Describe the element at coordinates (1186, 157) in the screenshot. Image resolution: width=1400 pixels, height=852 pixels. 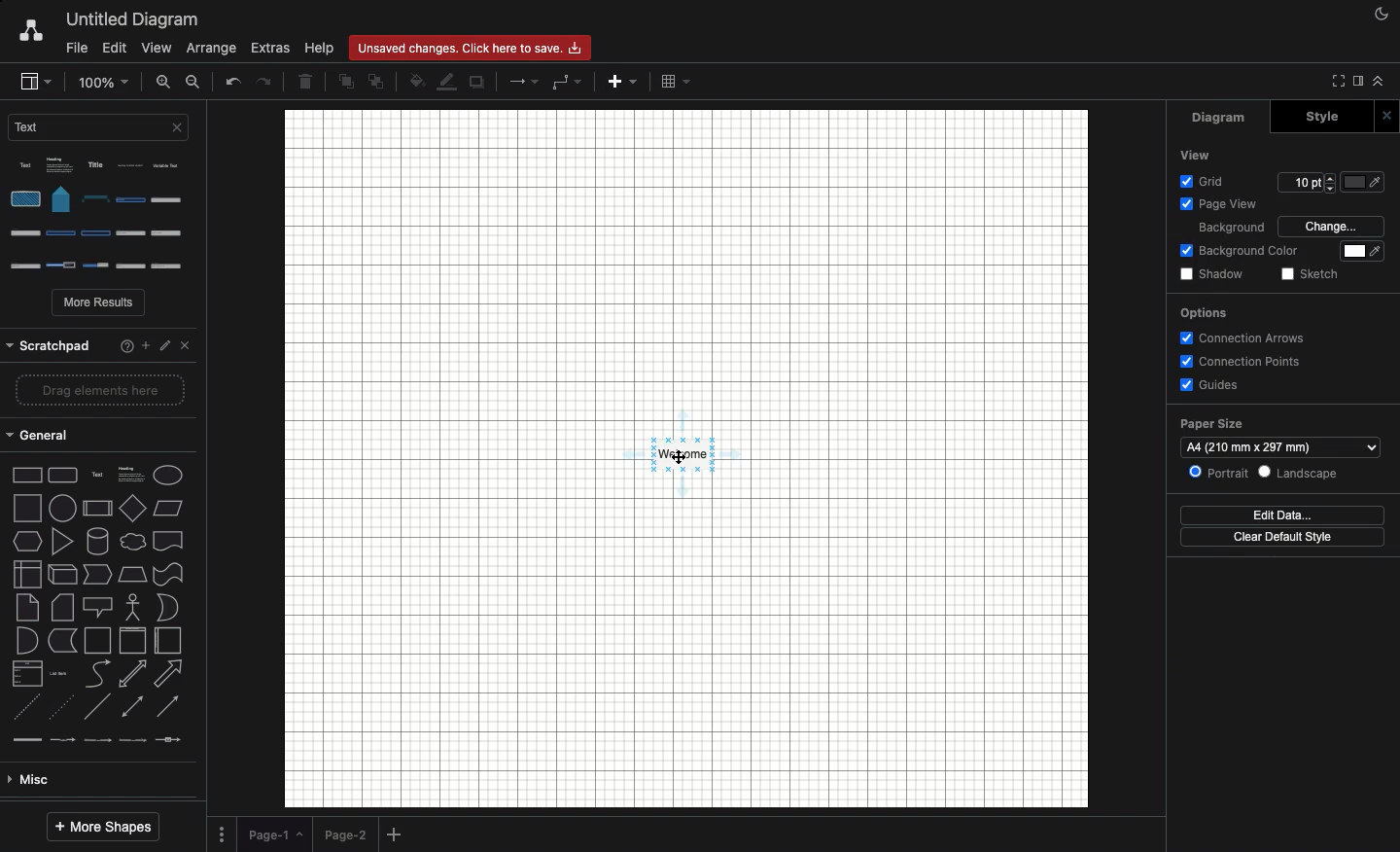
I see `Font` at that location.